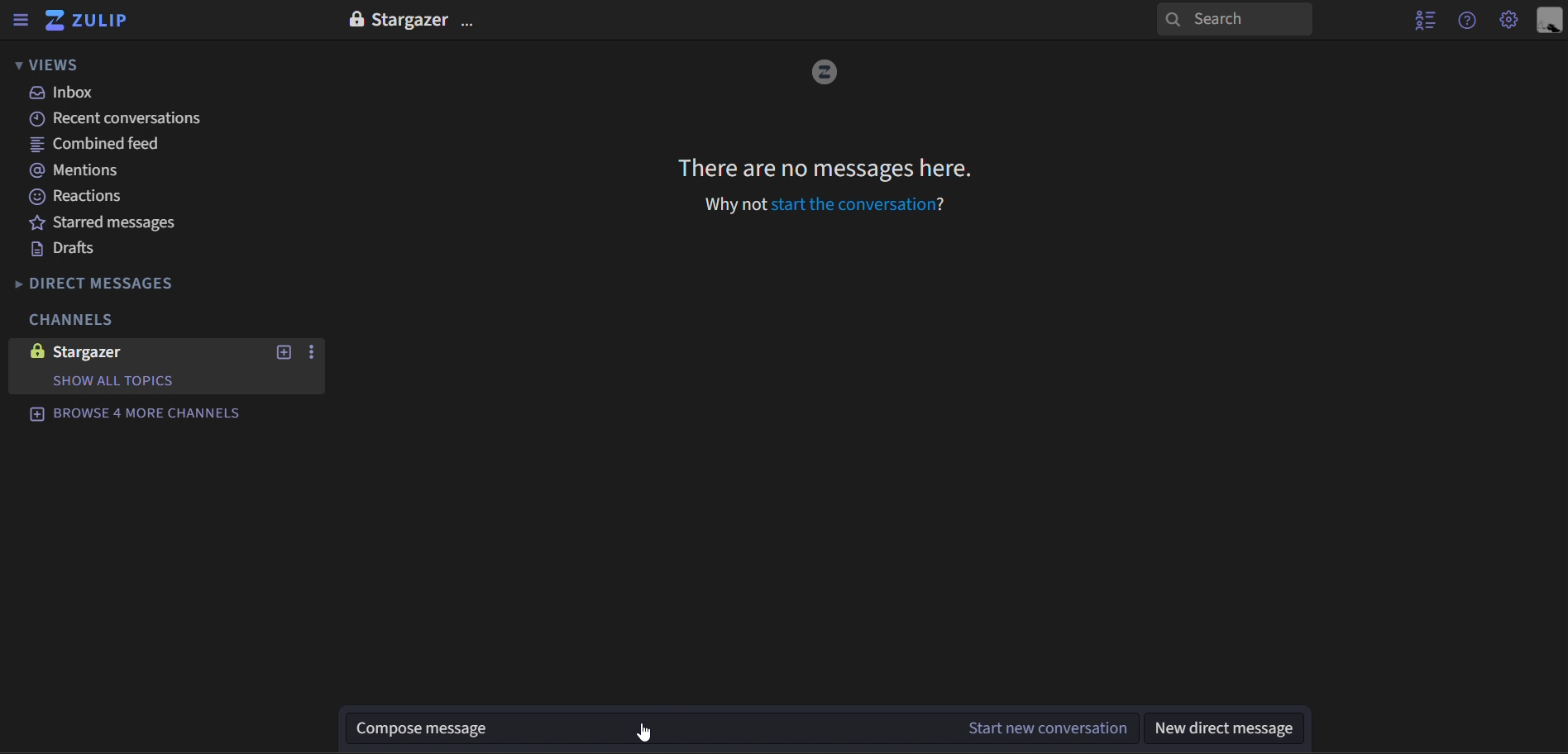 The width and height of the screenshot is (1568, 754). I want to click on hide sidebar, so click(21, 21).